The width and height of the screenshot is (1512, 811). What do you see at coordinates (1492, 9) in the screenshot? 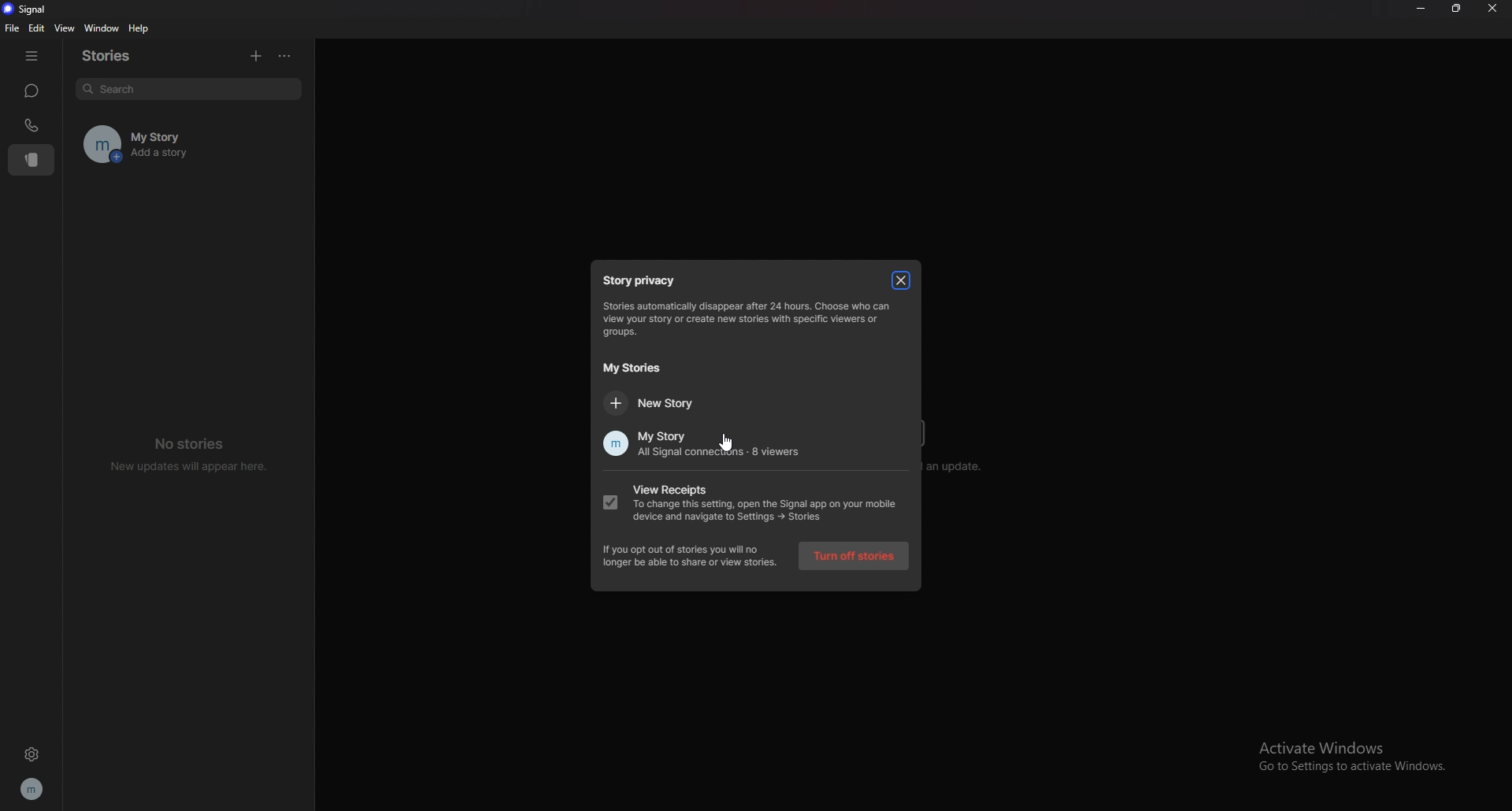
I see `close` at bounding box center [1492, 9].